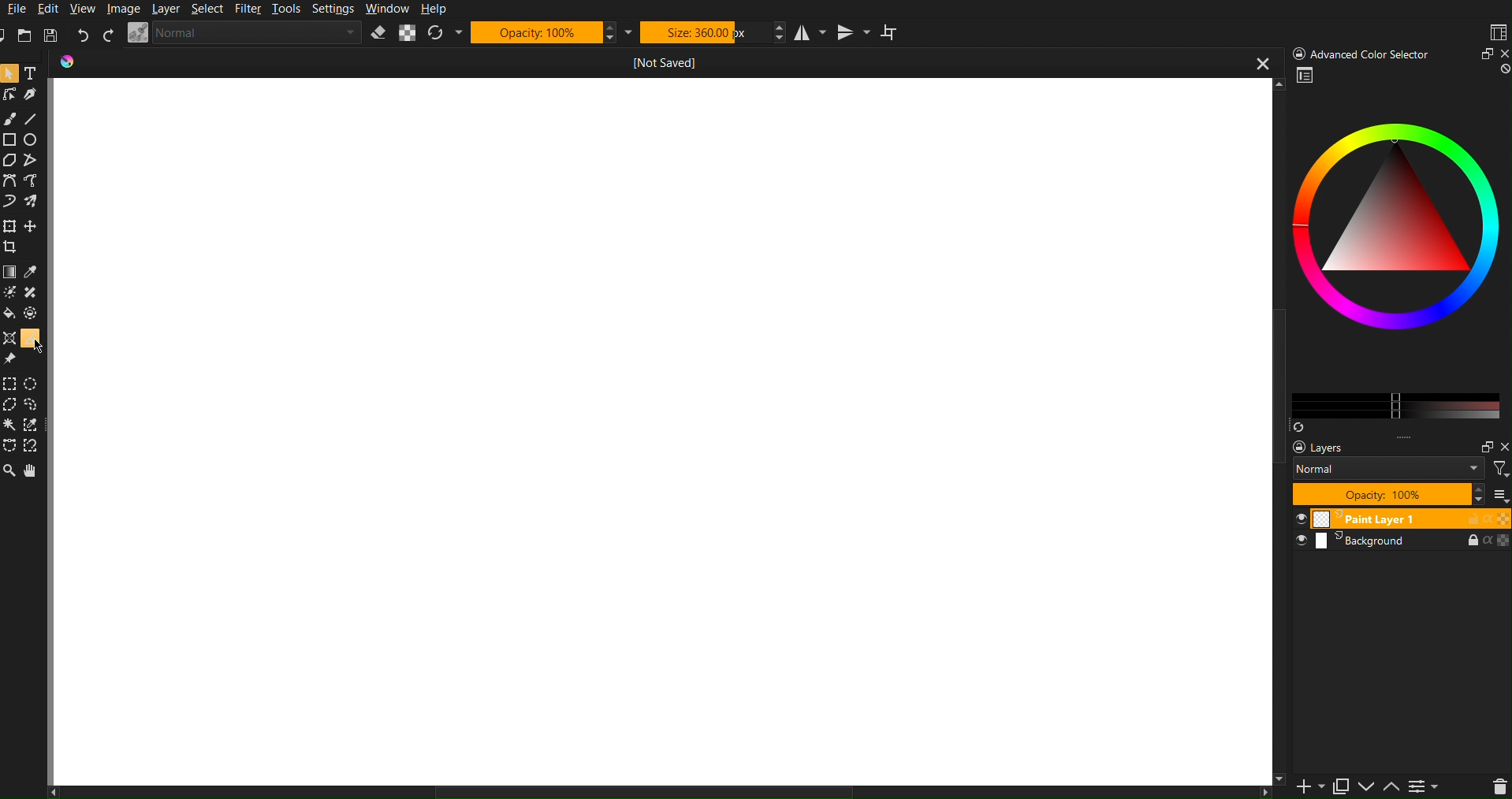 This screenshot has width=1512, height=799. I want to click on Workspace, so click(665, 433).